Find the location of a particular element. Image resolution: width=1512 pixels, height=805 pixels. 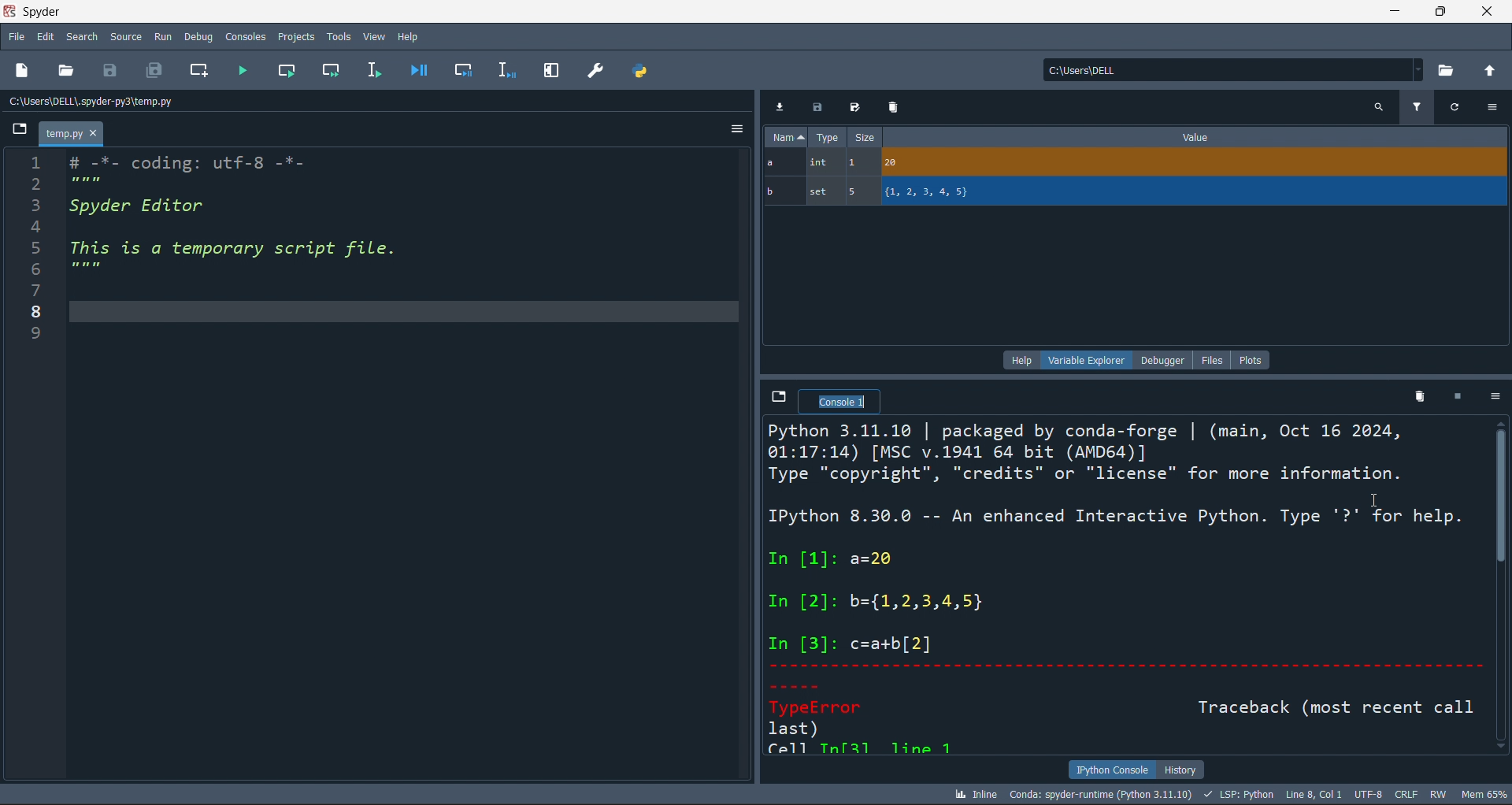

debugger is located at coordinates (1165, 359).